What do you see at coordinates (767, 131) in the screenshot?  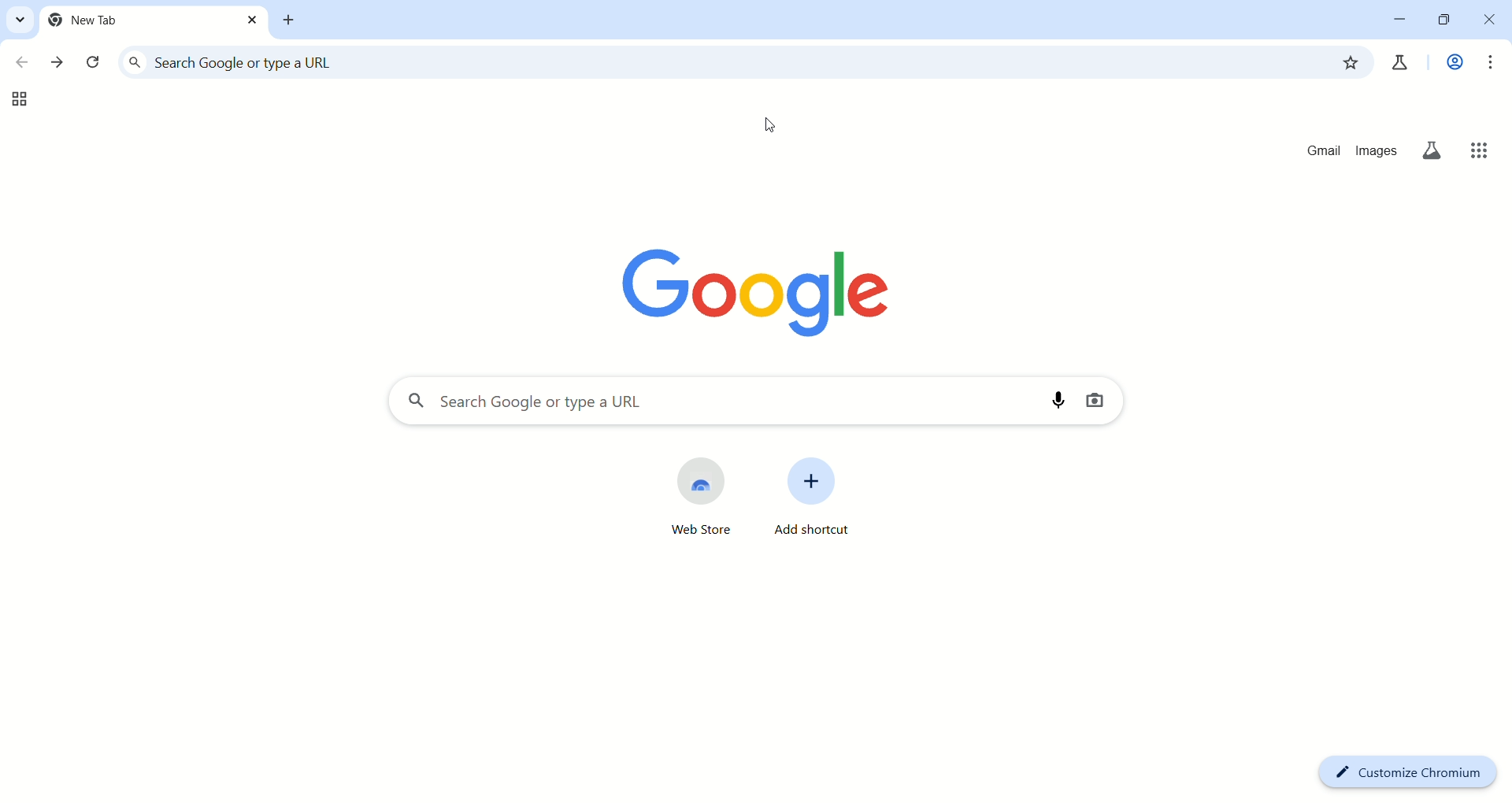 I see `cursor` at bounding box center [767, 131].